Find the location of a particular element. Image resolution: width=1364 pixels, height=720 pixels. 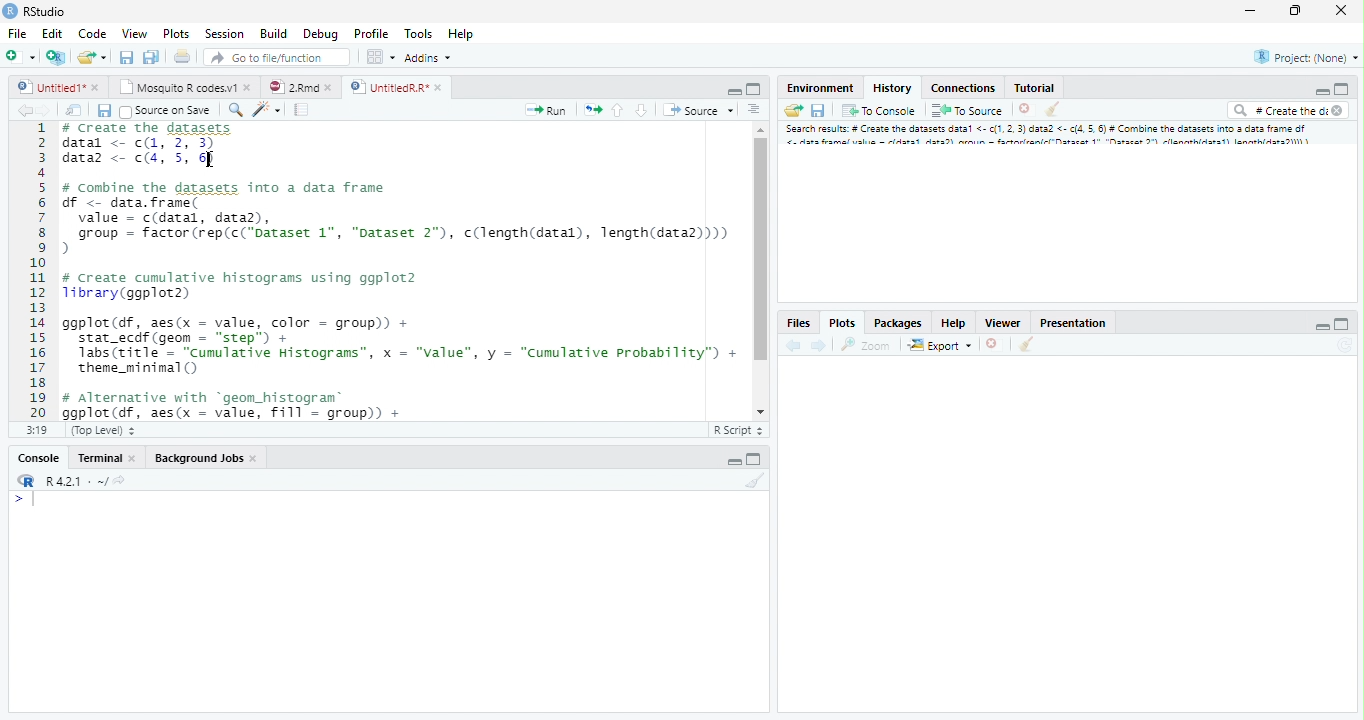

Numbers is located at coordinates (40, 269).